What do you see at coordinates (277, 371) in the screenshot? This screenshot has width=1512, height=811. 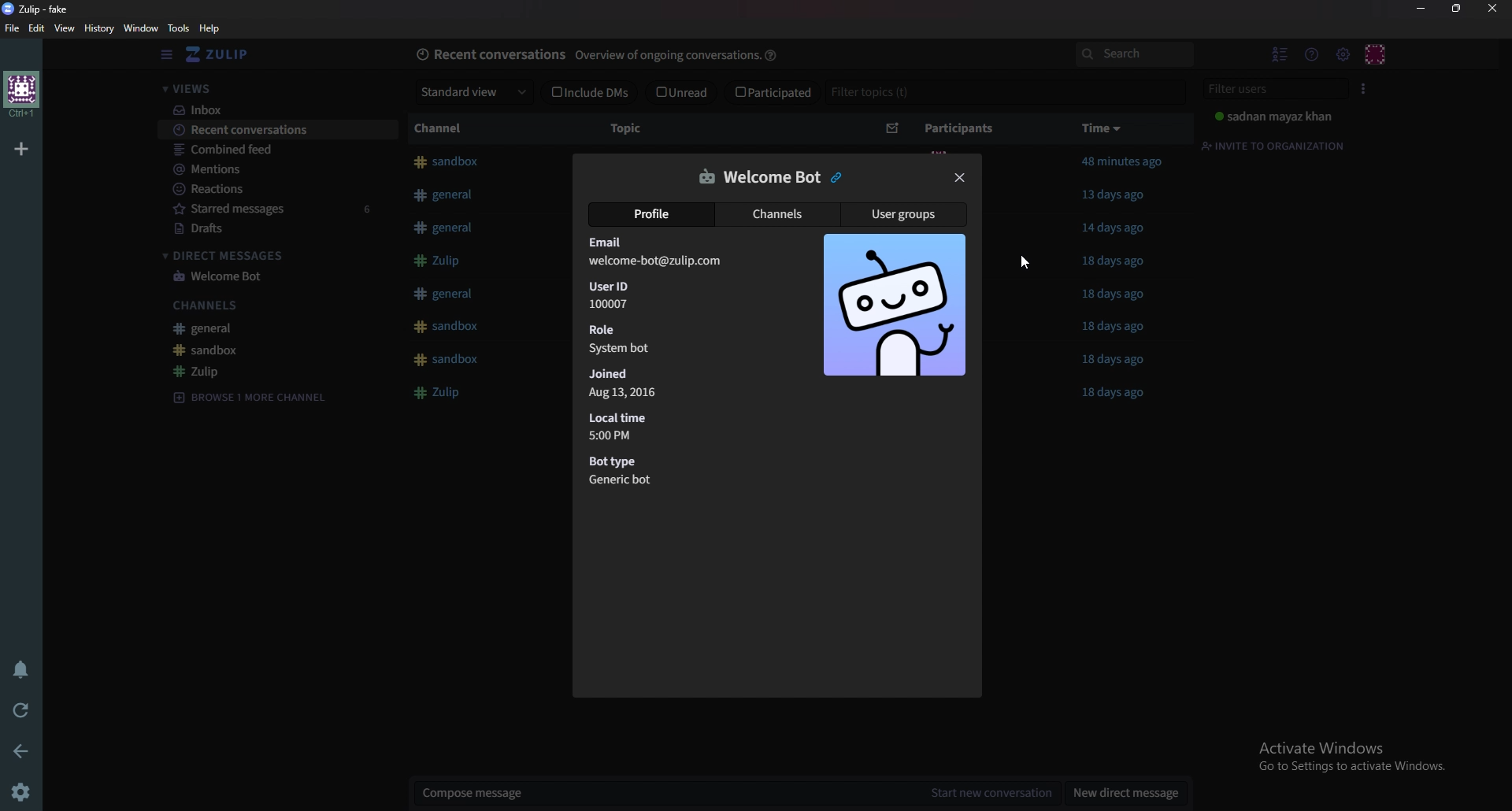 I see `zulip` at bounding box center [277, 371].